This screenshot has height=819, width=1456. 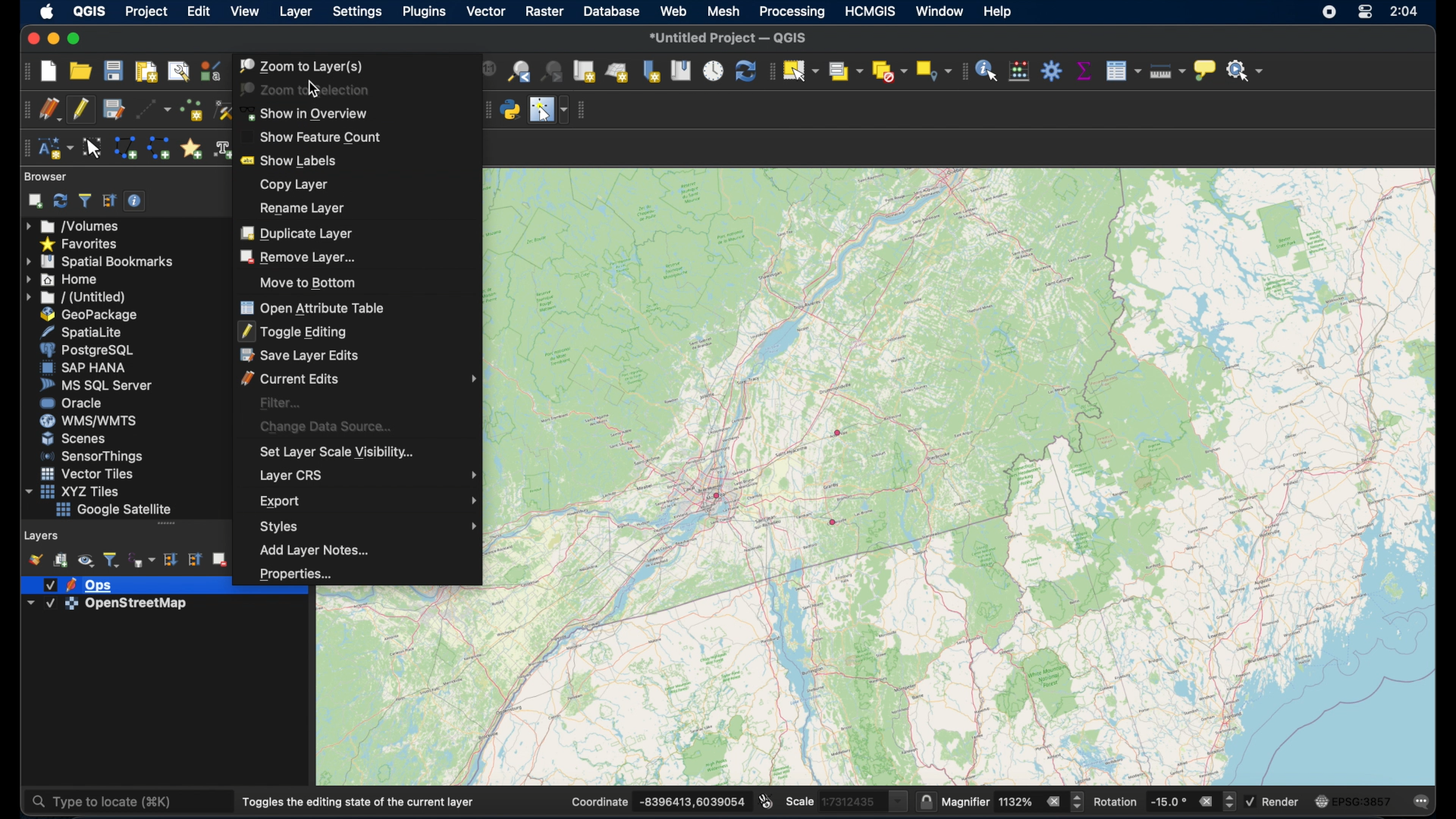 What do you see at coordinates (292, 158) in the screenshot?
I see `show labels` at bounding box center [292, 158].